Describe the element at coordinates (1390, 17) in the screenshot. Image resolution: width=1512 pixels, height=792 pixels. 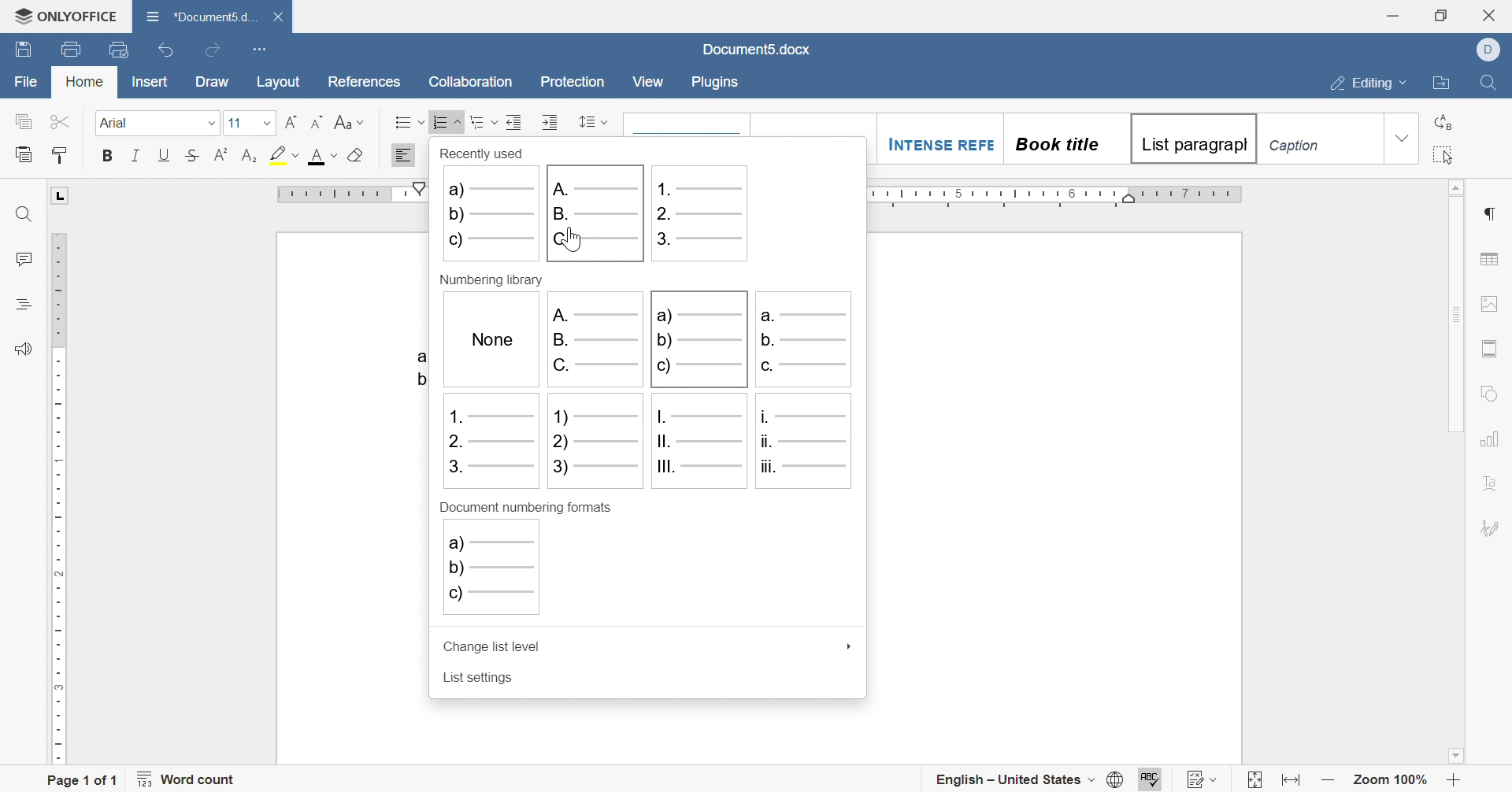
I see `minimize` at that location.